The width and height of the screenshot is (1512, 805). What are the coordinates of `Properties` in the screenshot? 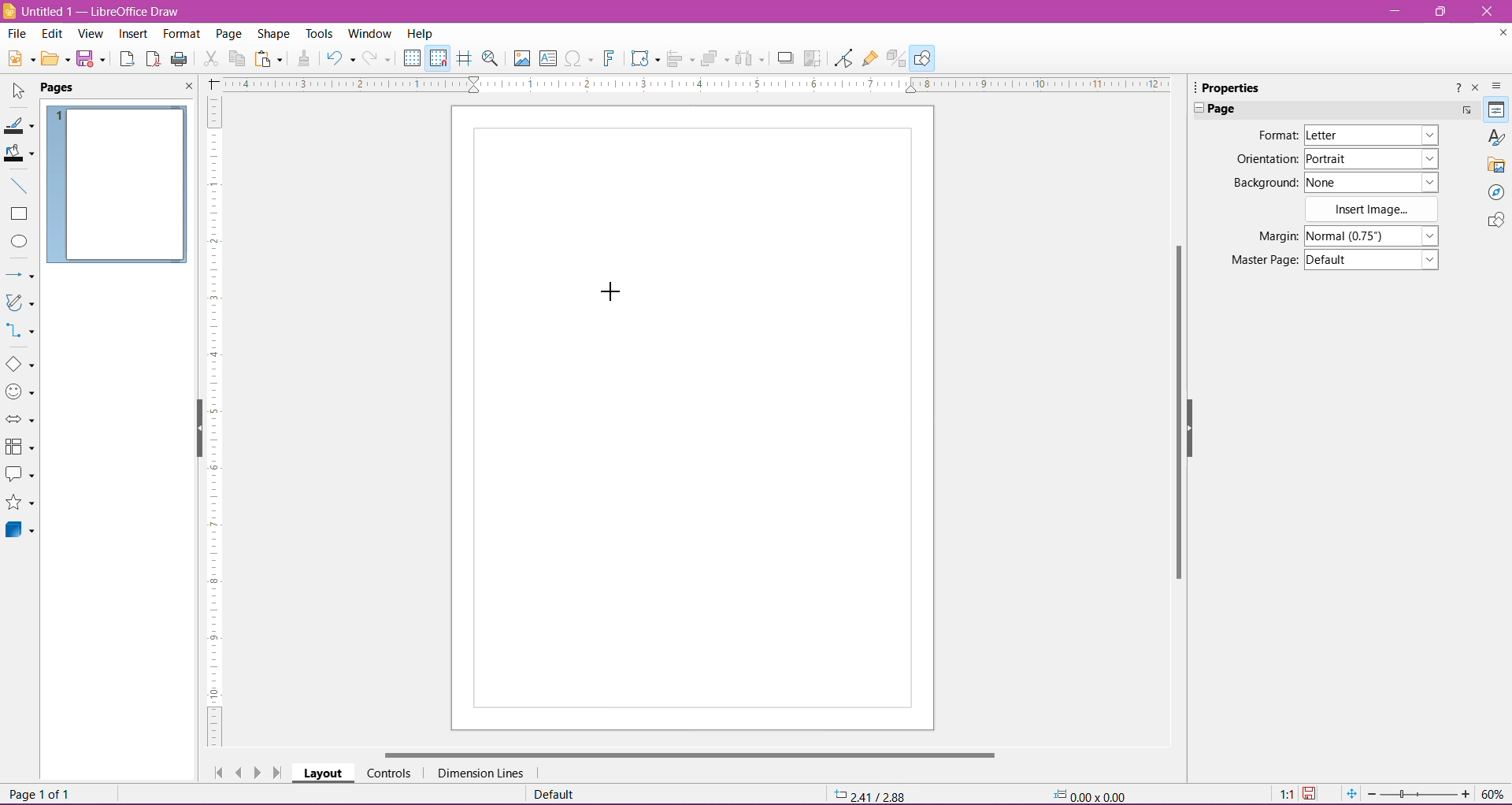 It's located at (1228, 87).